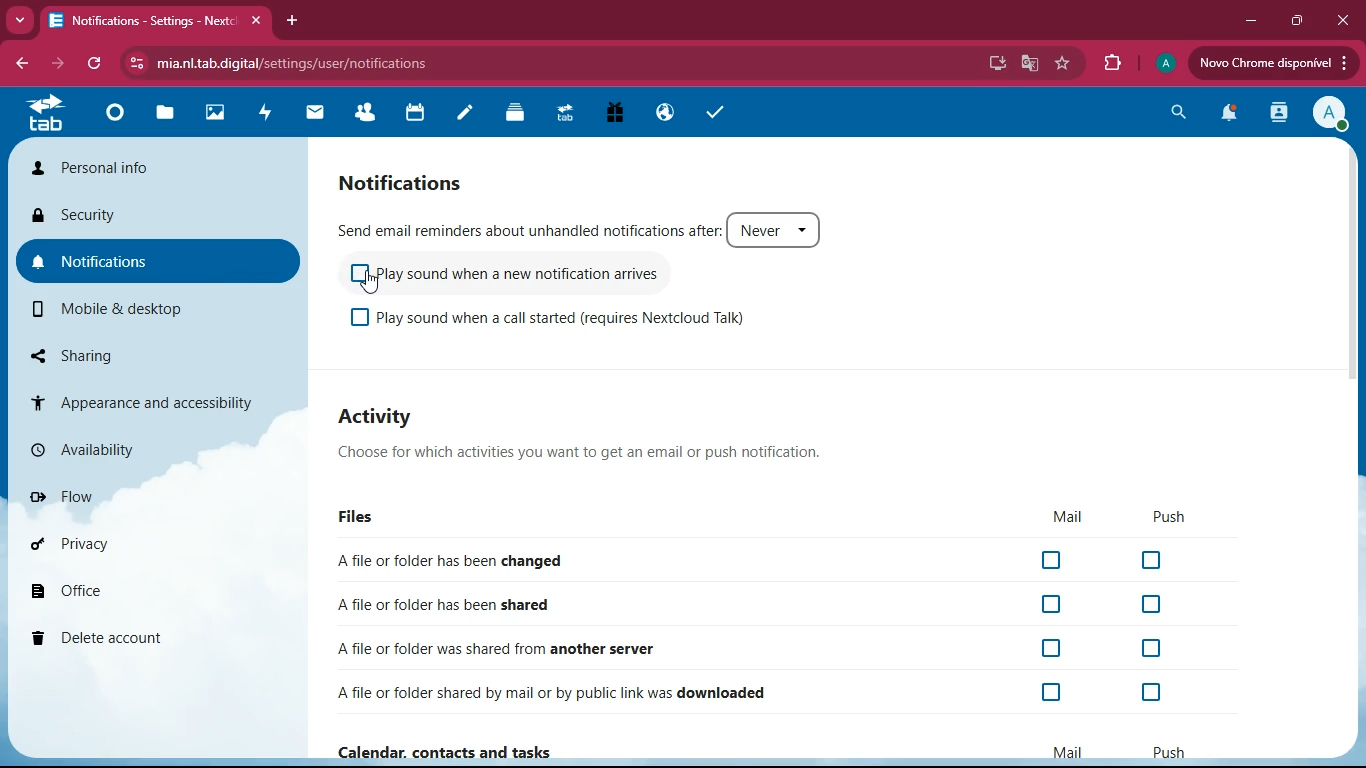  I want to click on friends, so click(371, 114).